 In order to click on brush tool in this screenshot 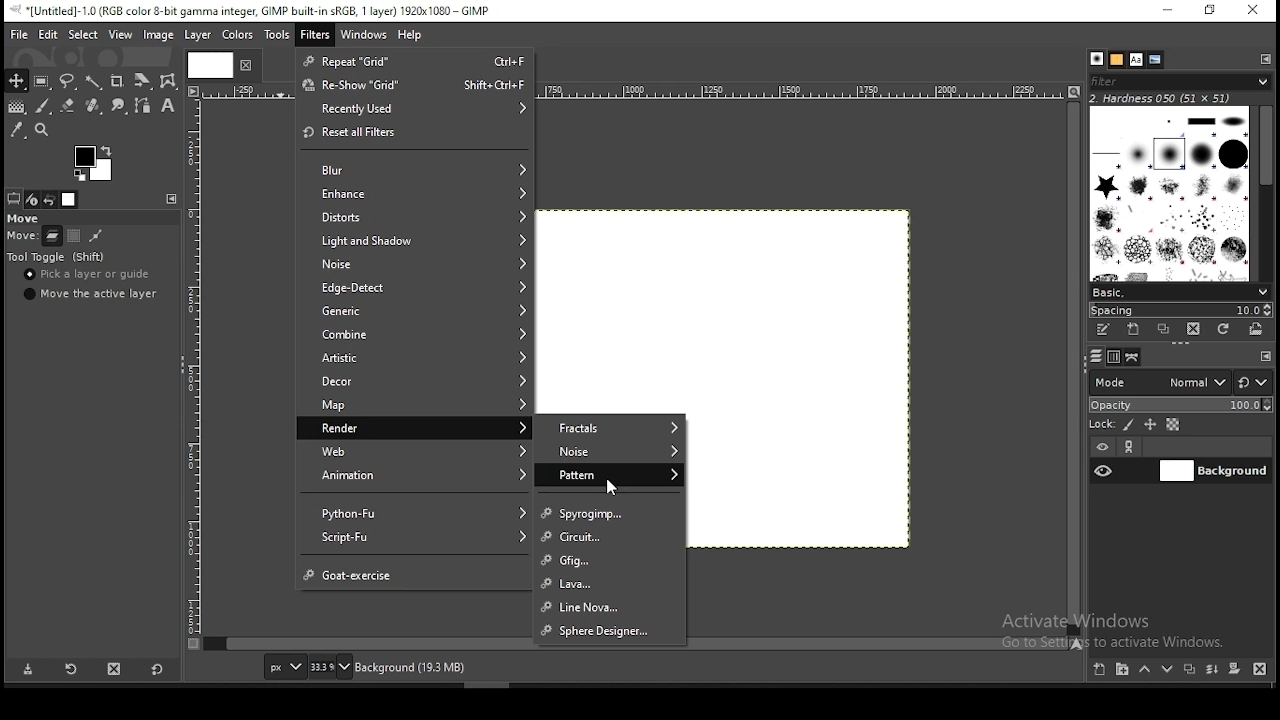, I will do `click(44, 106)`.